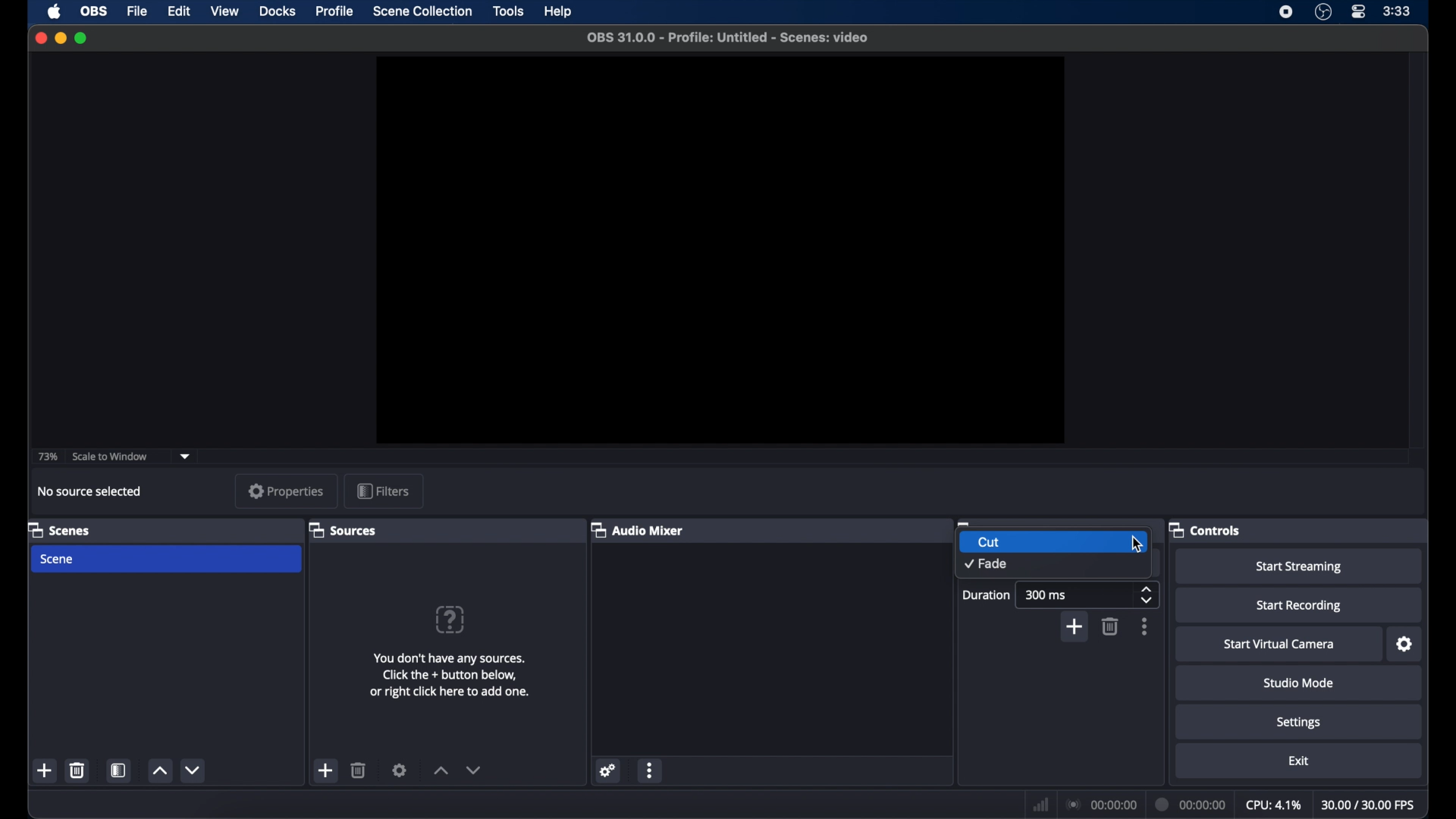  Describe the element at coordinates (1041, 805) in the screenshot. I see `network` at that location.